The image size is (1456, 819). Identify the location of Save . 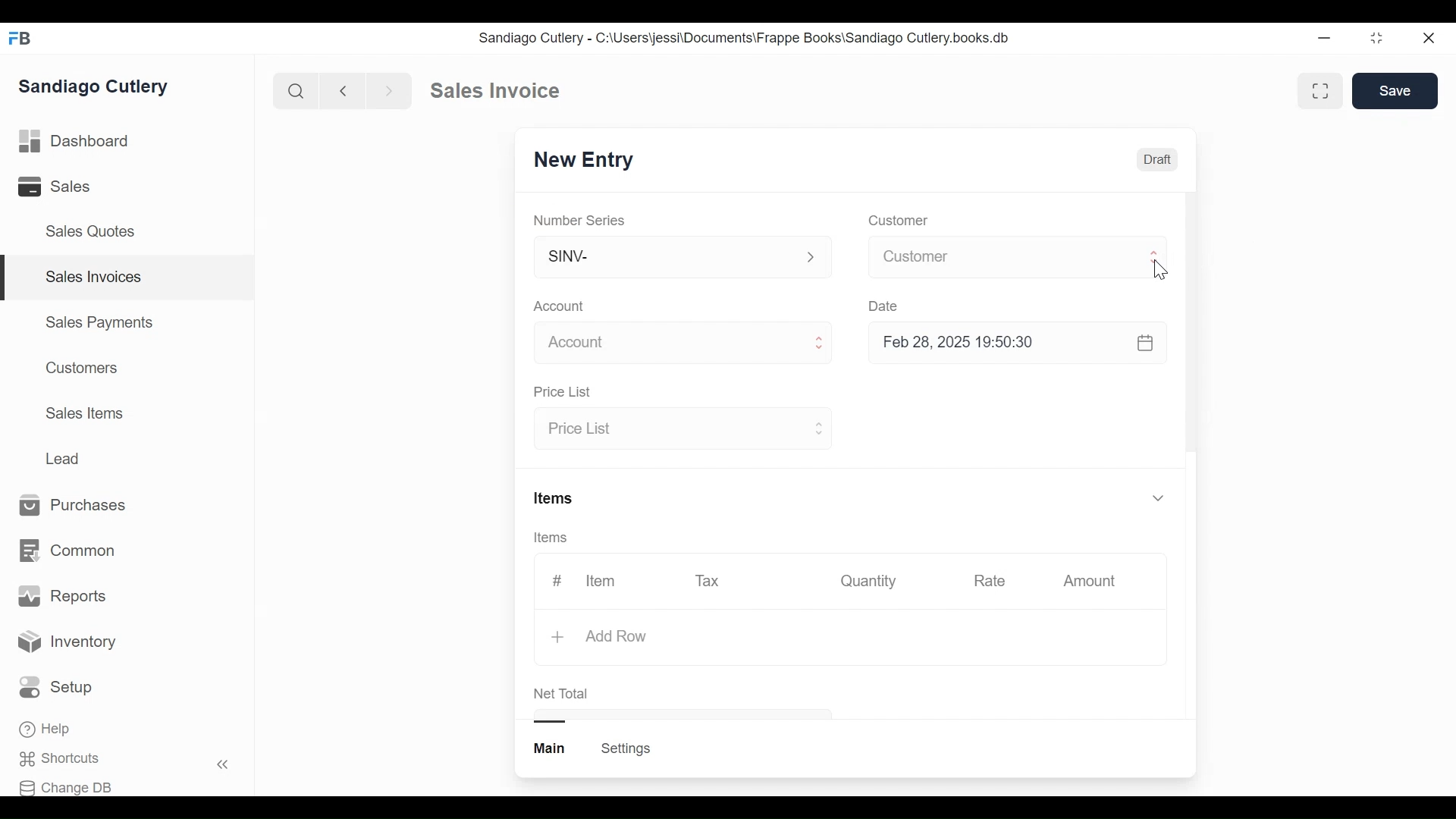
(1395, 91).